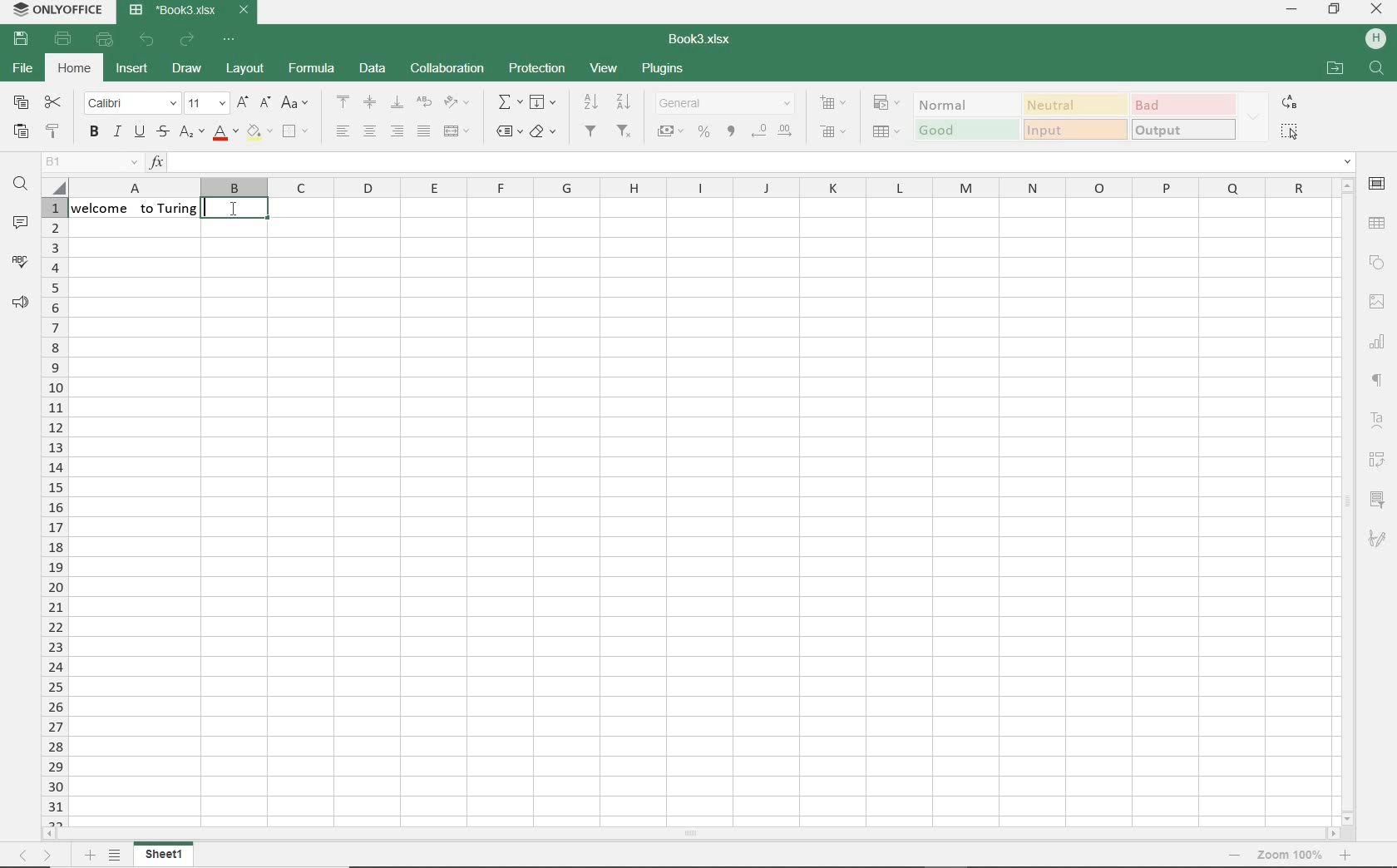 The width and height of the screenshot is (1397, 868). Describe the element at coordinates (117, 132) in the screenshot. I see `italic` at that location.